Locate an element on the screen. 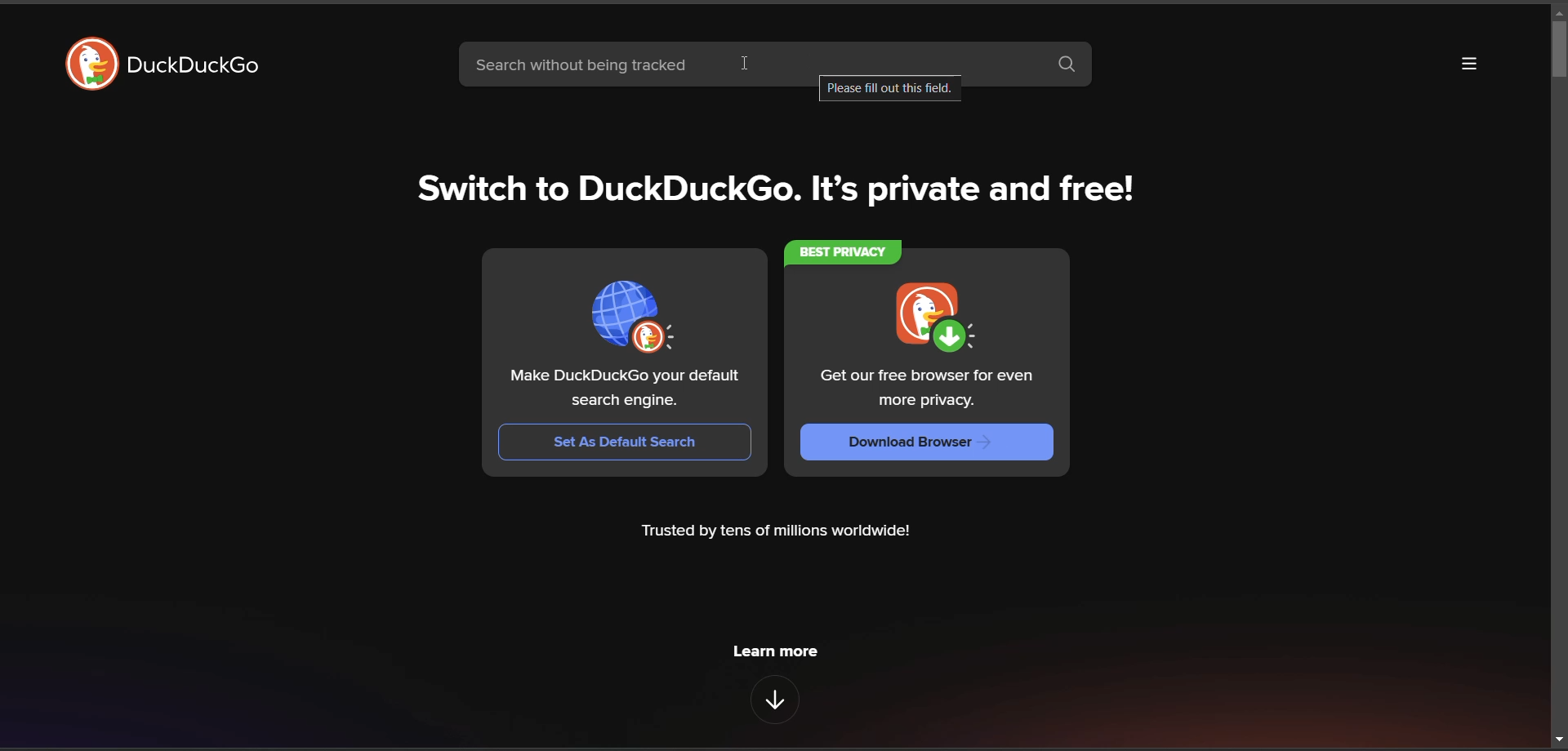  tag line is located at coordinates (779, 191).